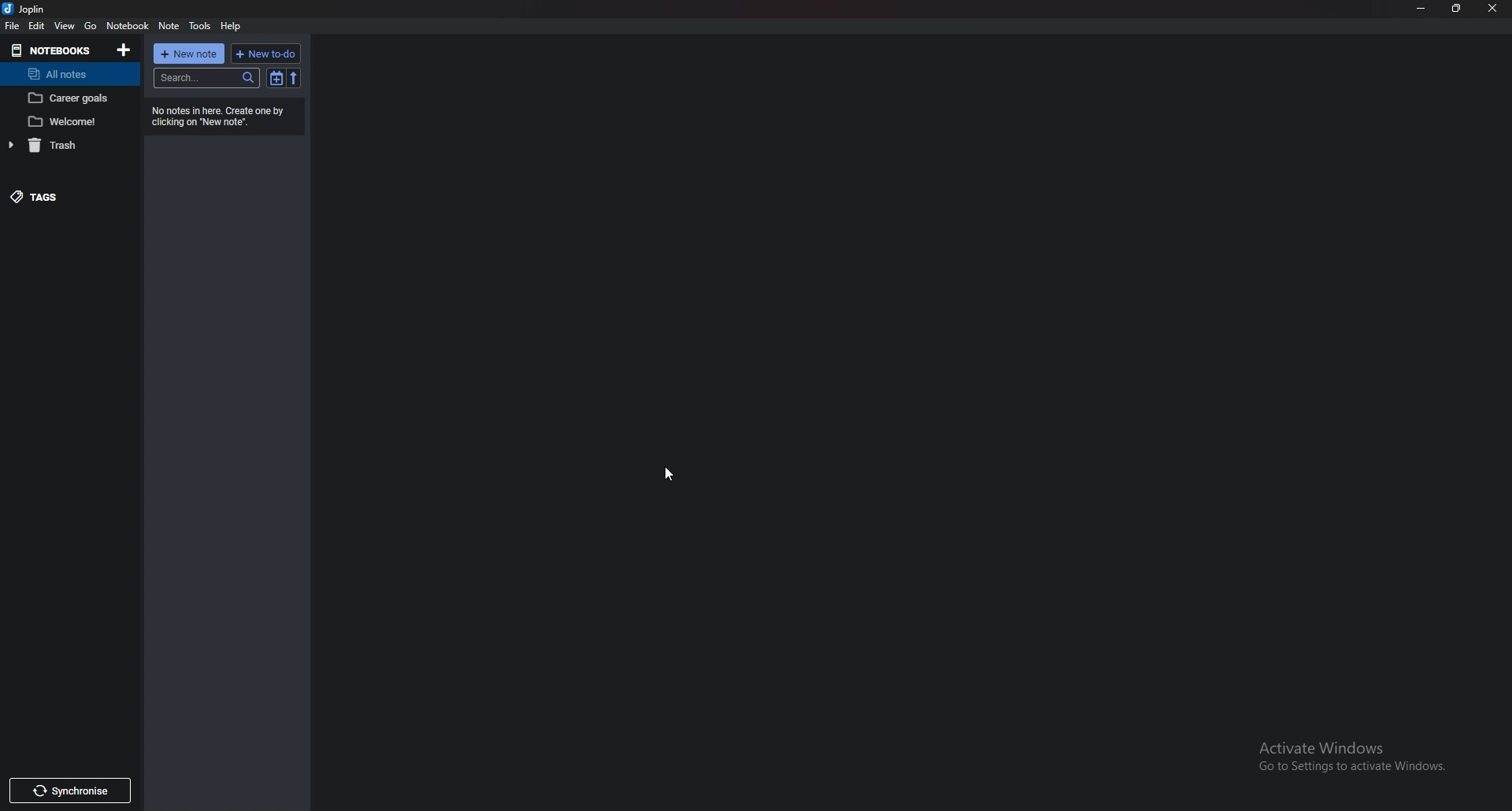 The image size is (1512, 811). I want to click on toggle sort, so click(276, 77).